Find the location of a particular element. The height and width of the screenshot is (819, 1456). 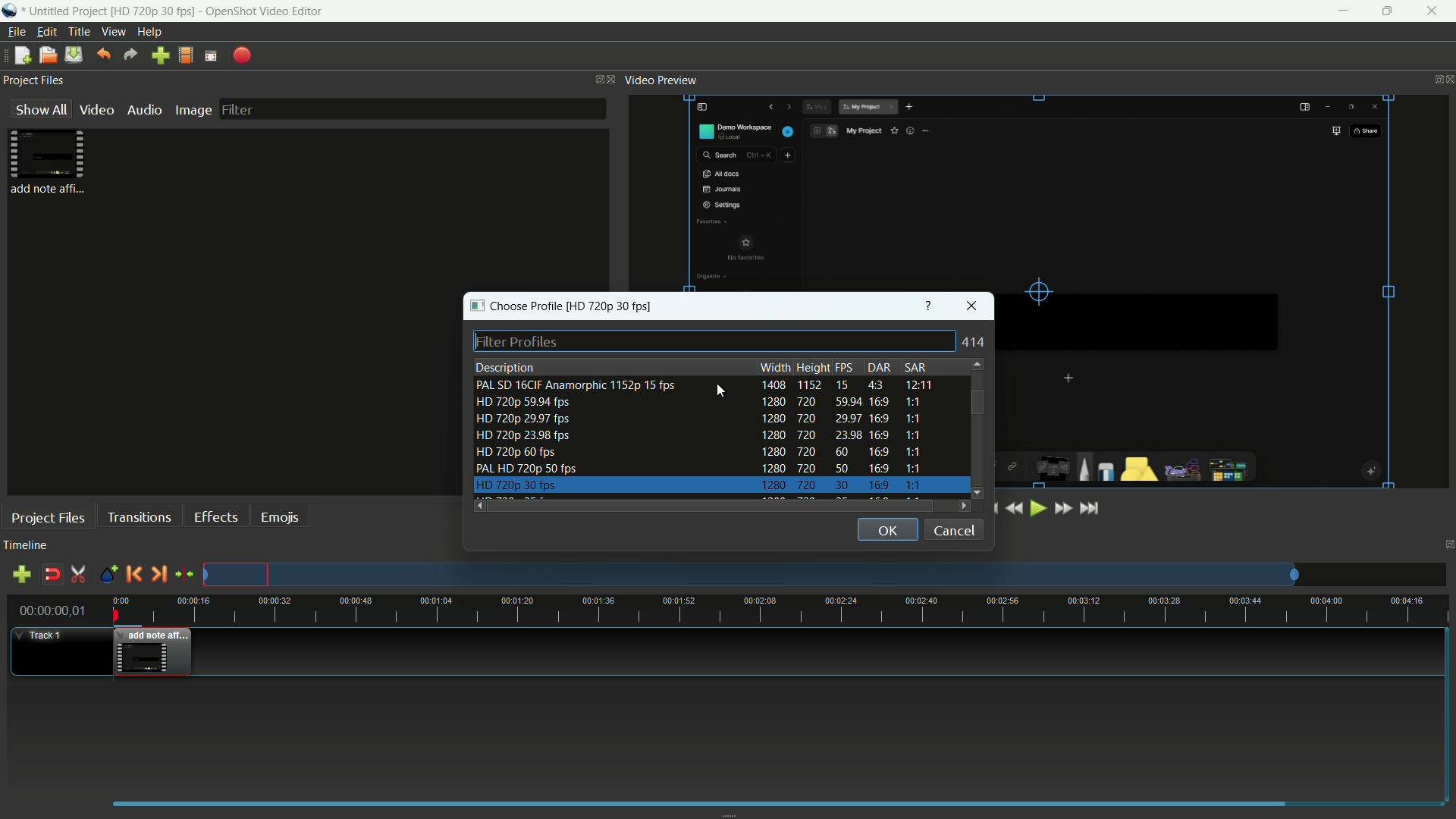

video preview is located at coordinates (662, 80).